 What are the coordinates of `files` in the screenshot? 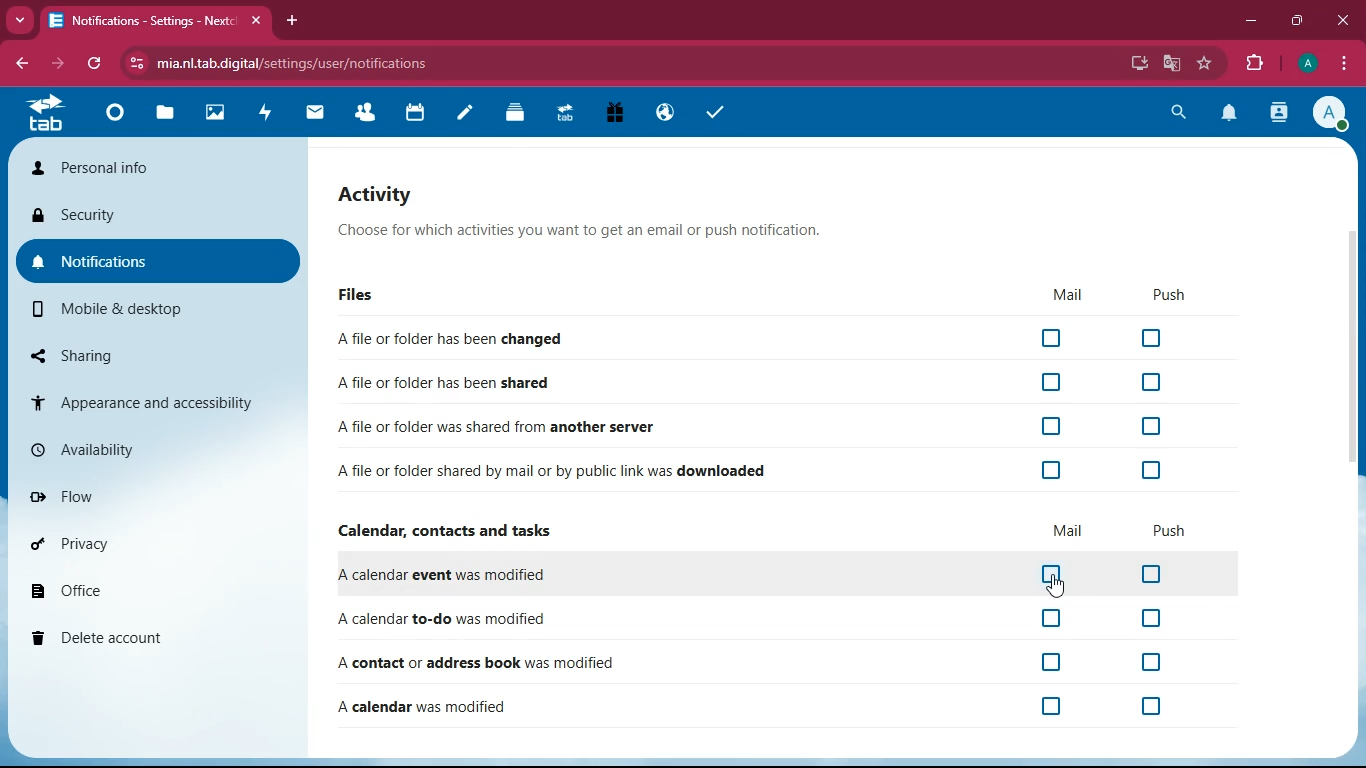 It's located at (371, 295).